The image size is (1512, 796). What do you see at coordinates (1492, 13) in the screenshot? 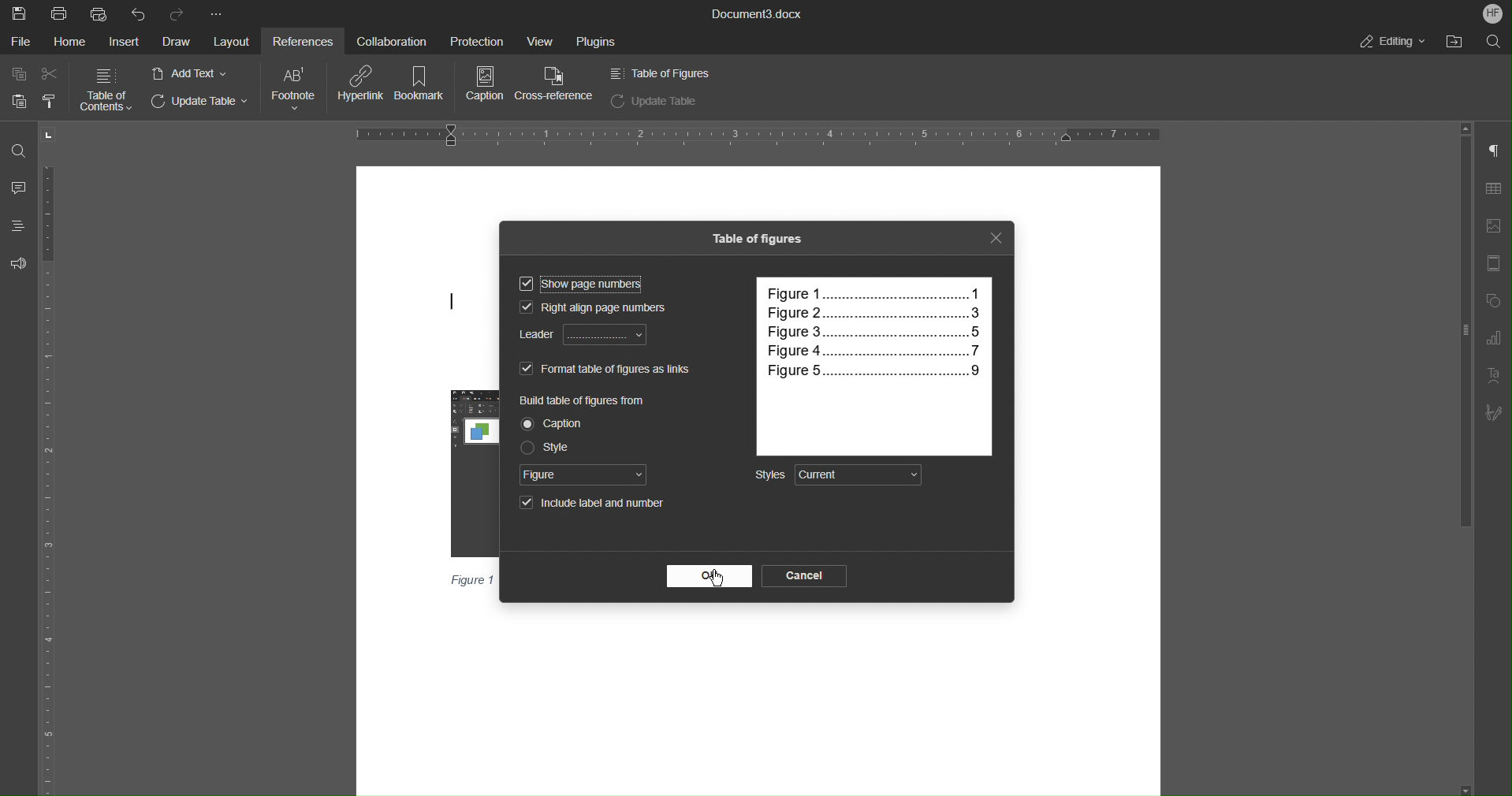
I see `Account` at bounding box center [1492, 13].